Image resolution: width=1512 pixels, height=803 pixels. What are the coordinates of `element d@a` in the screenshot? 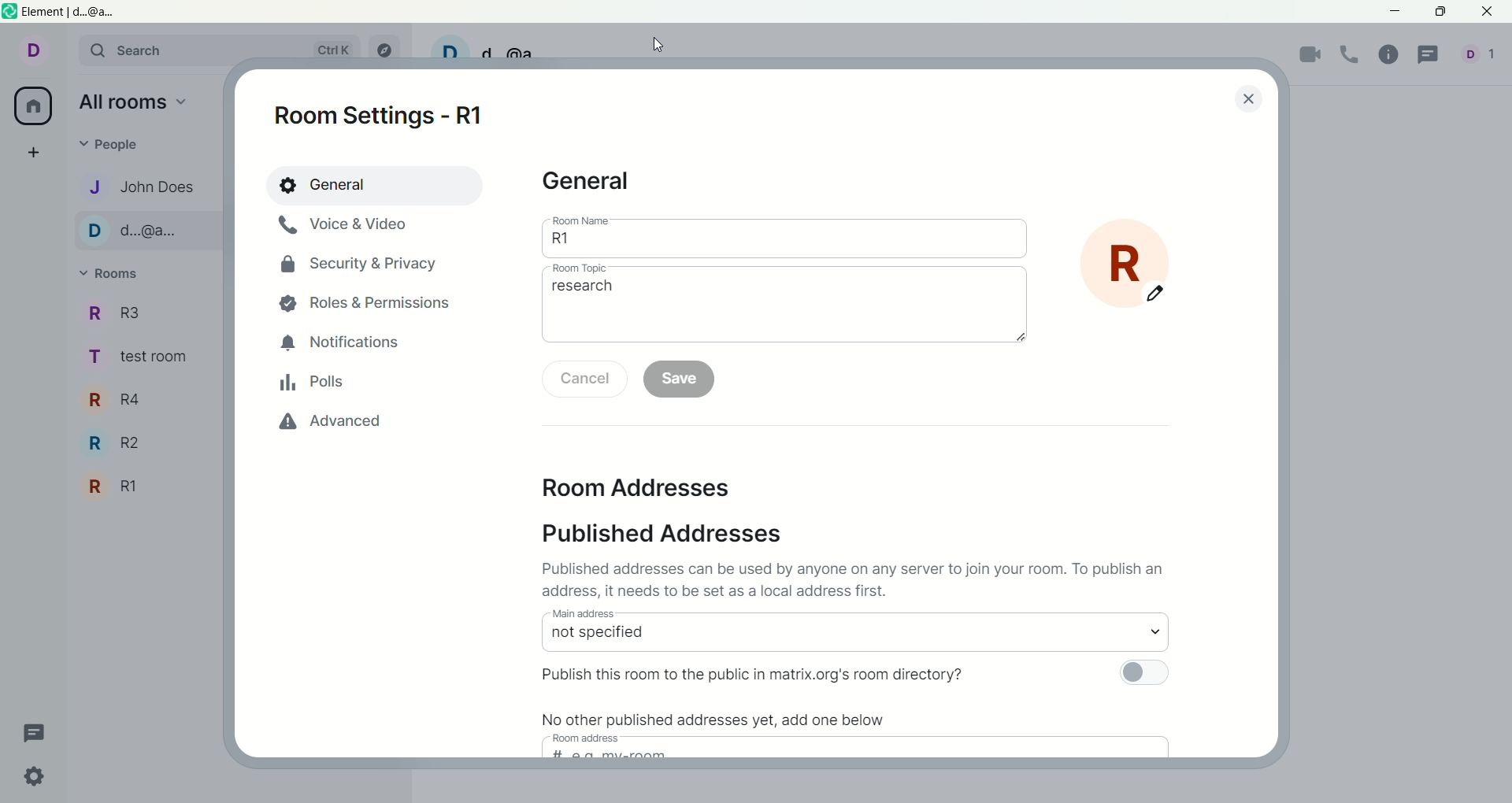 It's located at (76, 13).